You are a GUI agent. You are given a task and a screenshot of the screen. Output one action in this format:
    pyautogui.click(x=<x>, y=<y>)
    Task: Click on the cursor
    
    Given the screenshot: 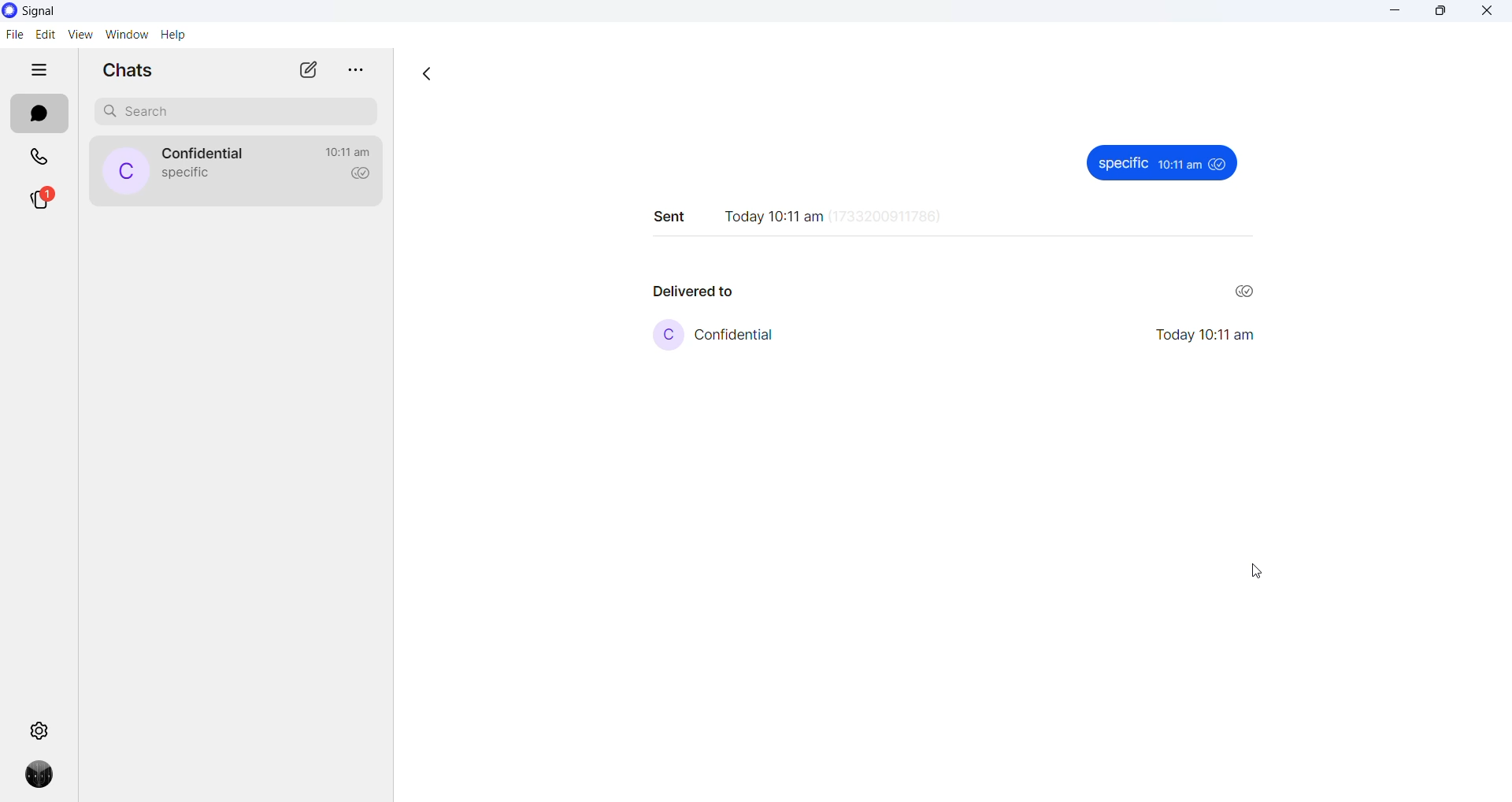 What is the action you would take?
    pyautogui.click(x=1260, y=571)
    